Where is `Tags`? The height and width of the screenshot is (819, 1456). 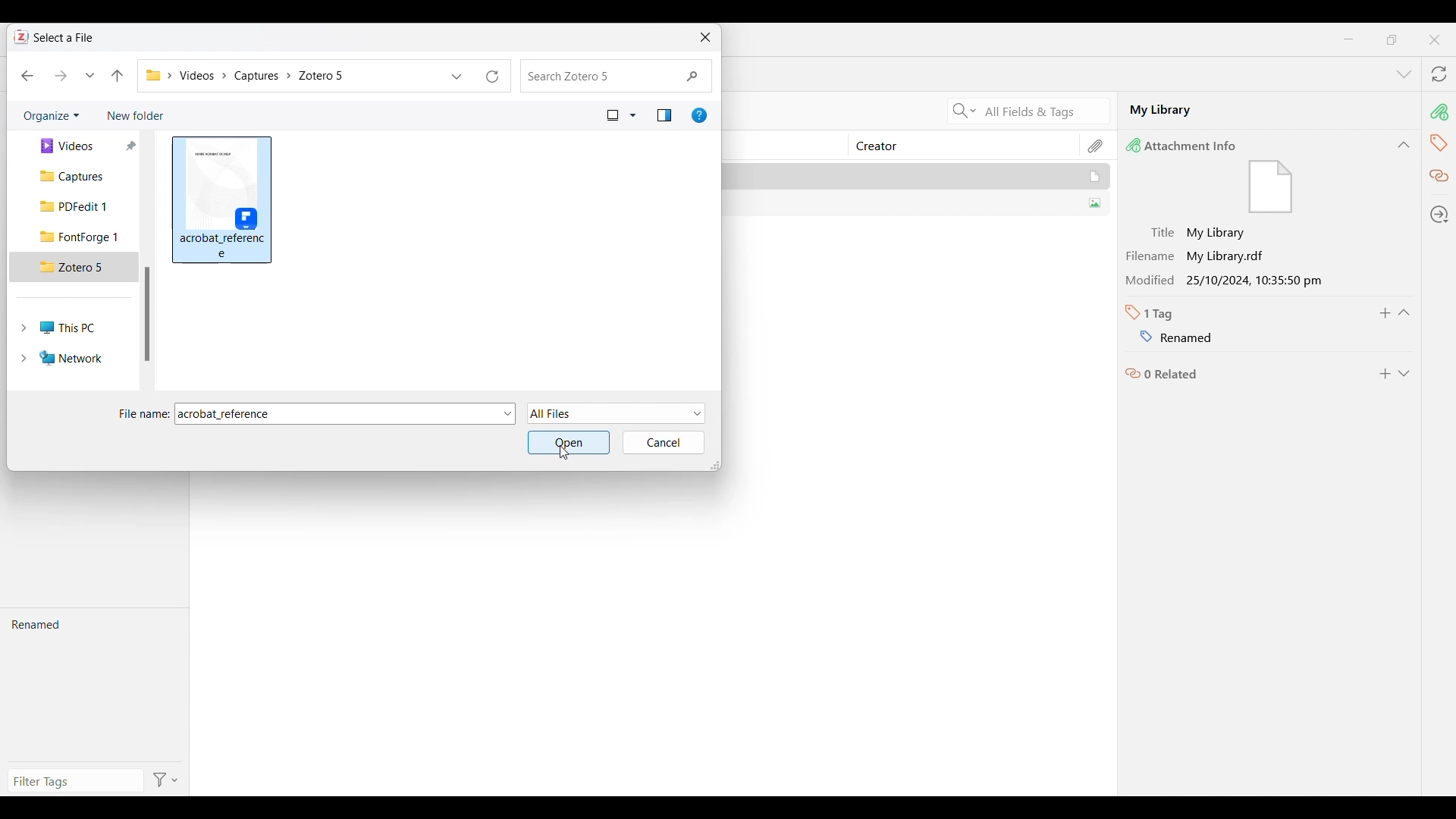 Tags is located at coordinates (1439, 143).